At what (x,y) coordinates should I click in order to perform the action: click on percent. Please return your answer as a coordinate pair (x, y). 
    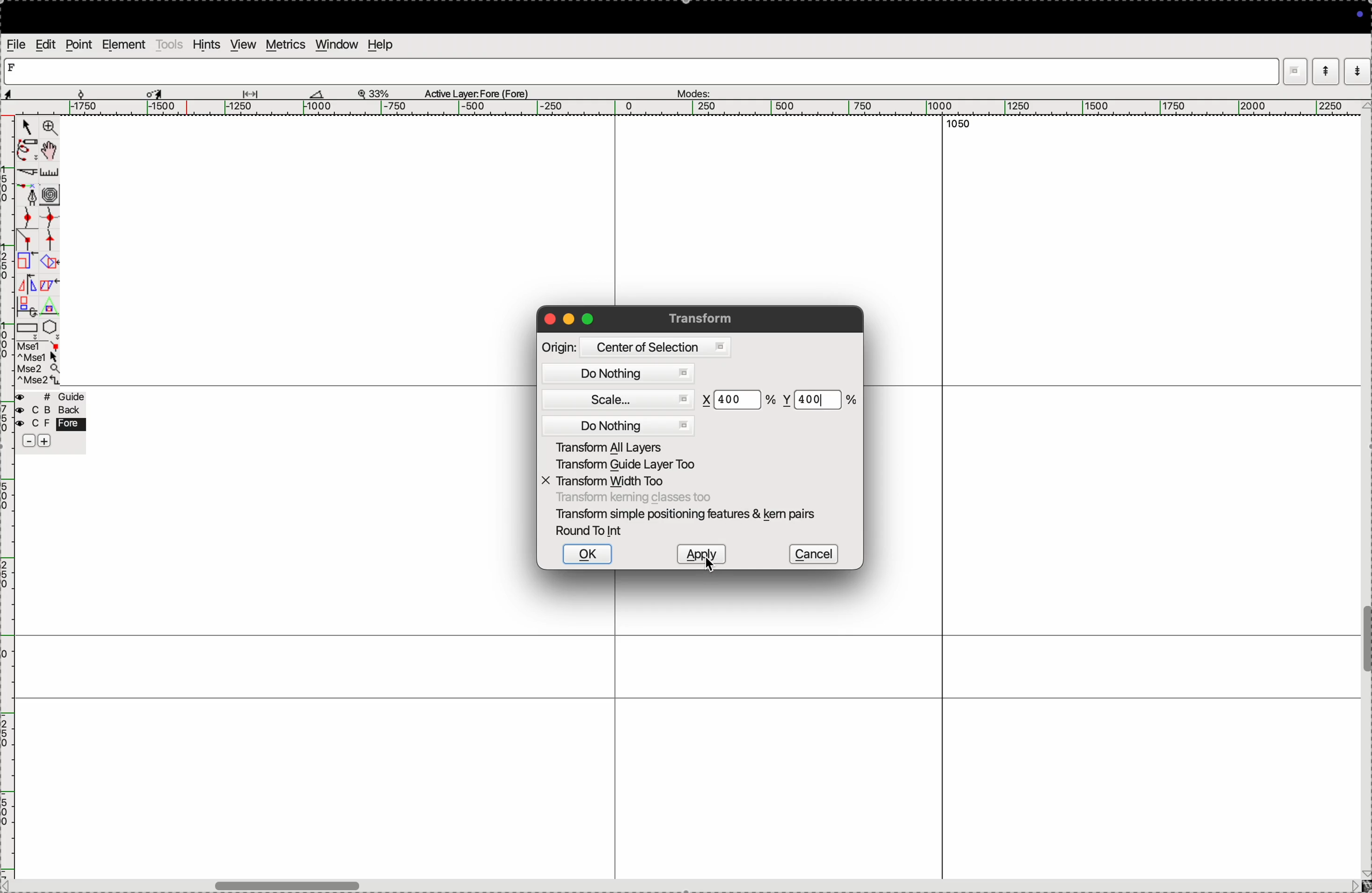
    Looking at the image, I should click on (850, 400).